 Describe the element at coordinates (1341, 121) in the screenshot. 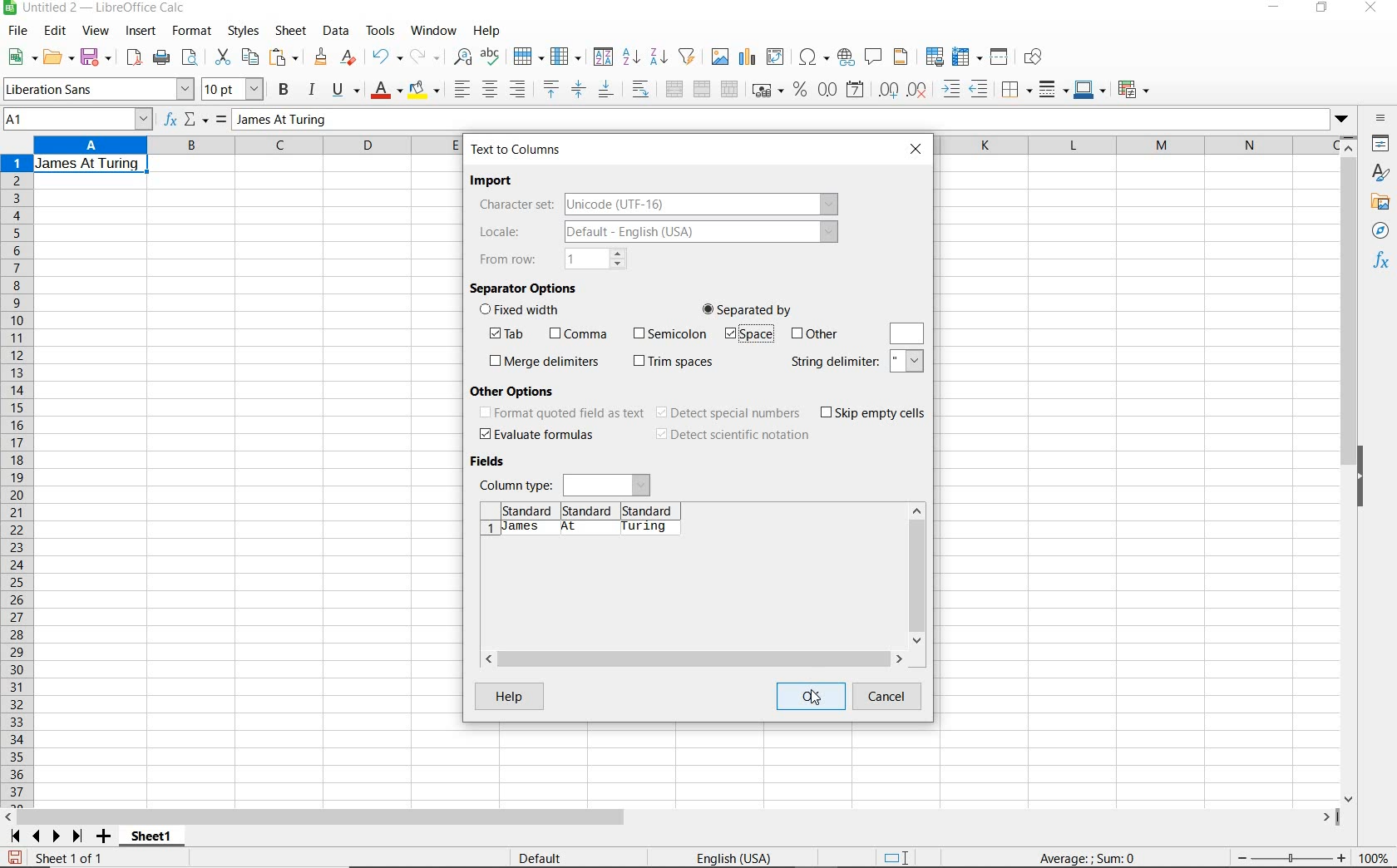

I see `dropdown` at that location.